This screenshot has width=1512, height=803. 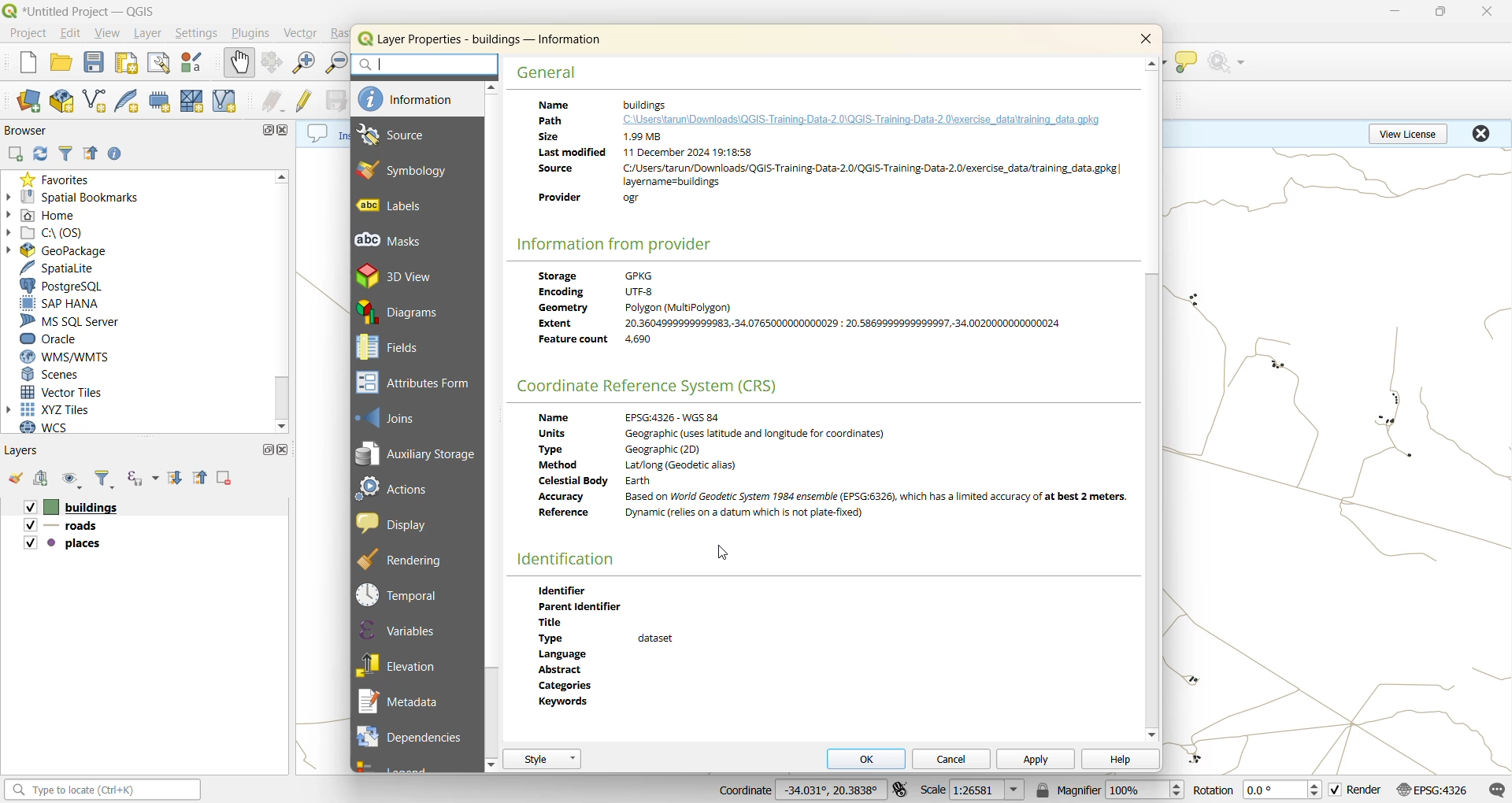 What do you see at coordinates (306, 100) in the screenshot?
I see `toggle edits` at bounding box center [306, 100].